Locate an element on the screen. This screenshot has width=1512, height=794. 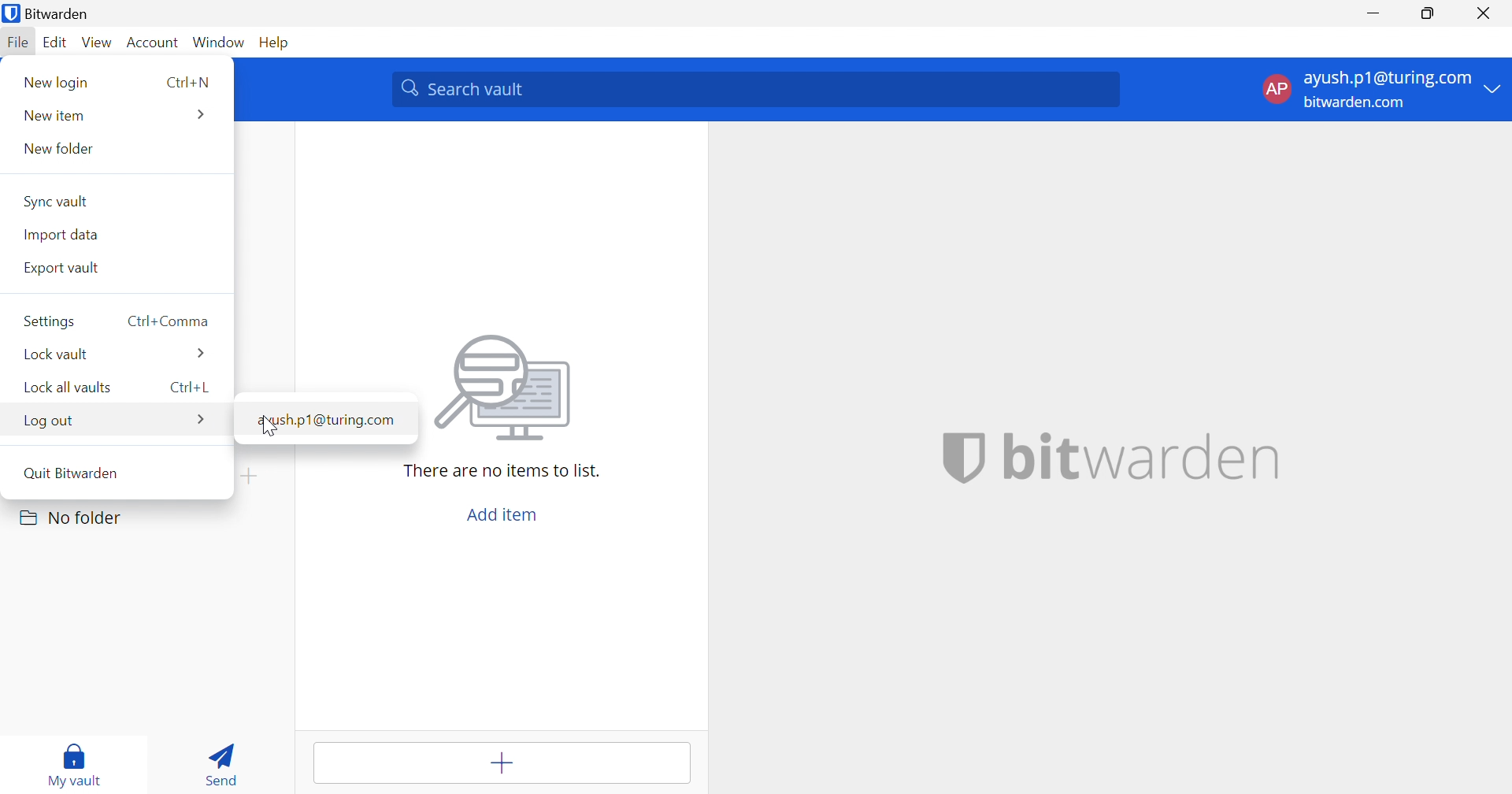
Add tem is located at coordinates (505, 763).